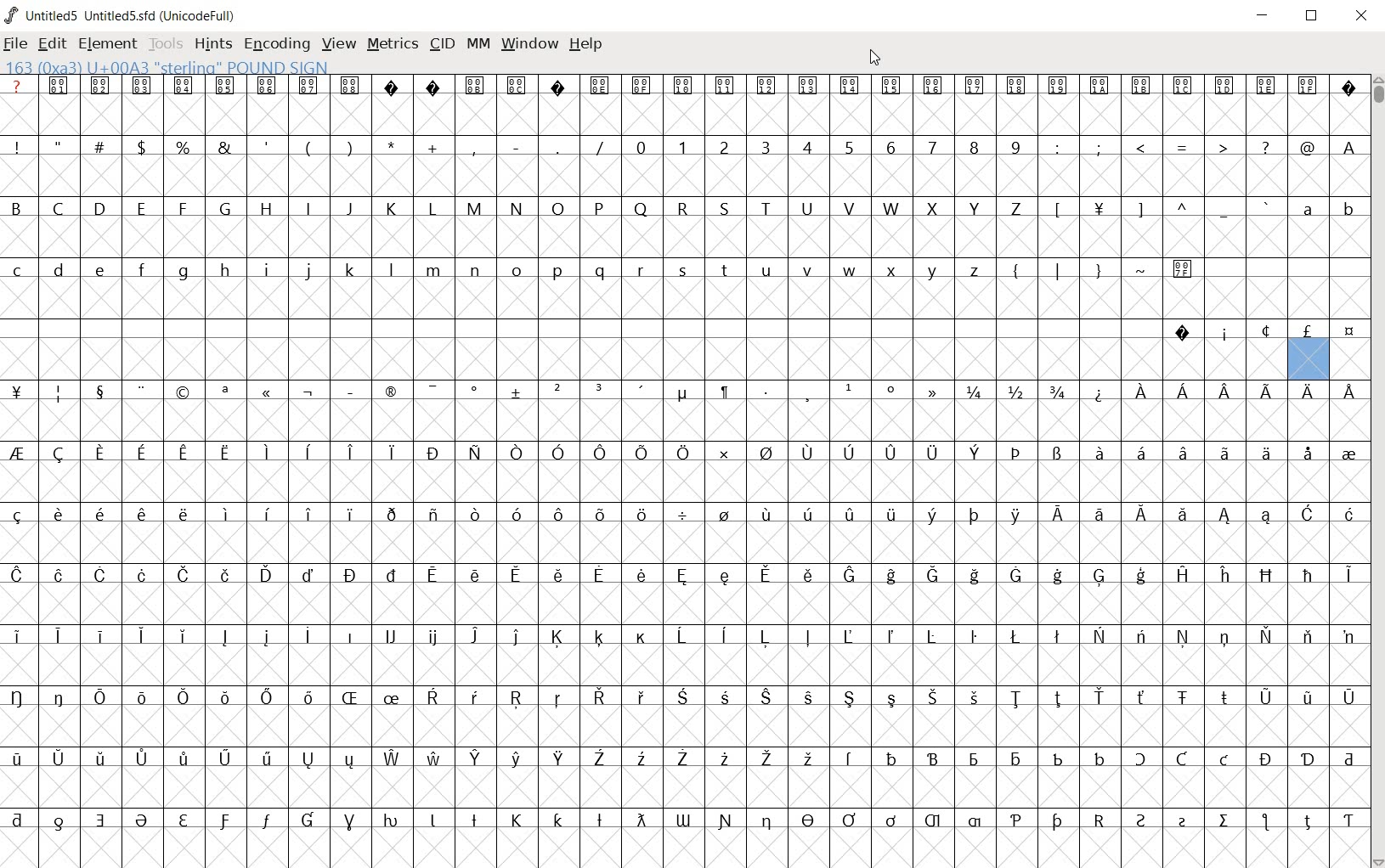 The height and width of the screenshot is (868, 1385). What do you see at coordinates (1348, 819) in the screenshot?
I see `Symbol` at bounding box center [1348, 819].